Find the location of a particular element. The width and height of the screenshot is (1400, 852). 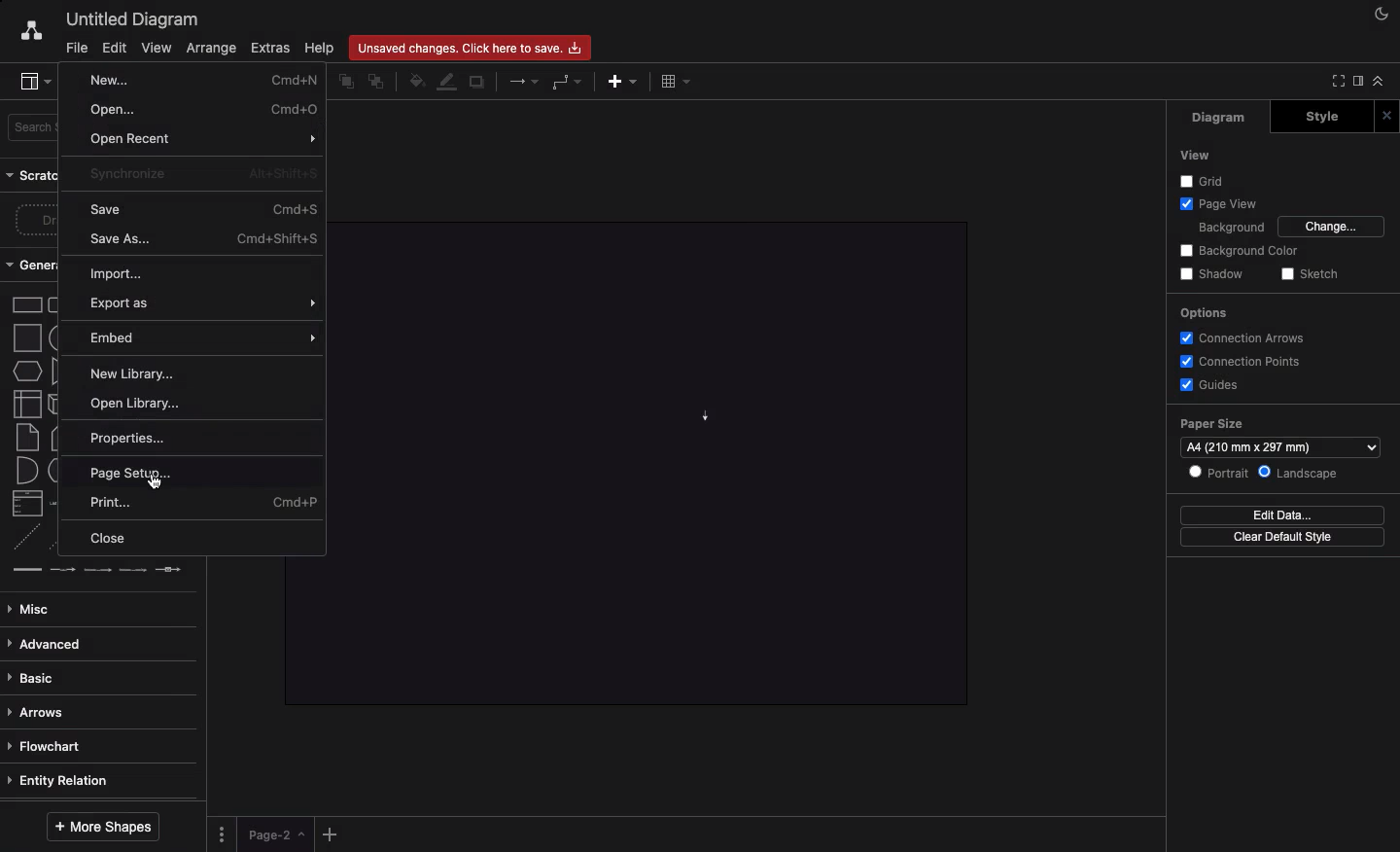

Entity relation is located at coordinates (67, 780).